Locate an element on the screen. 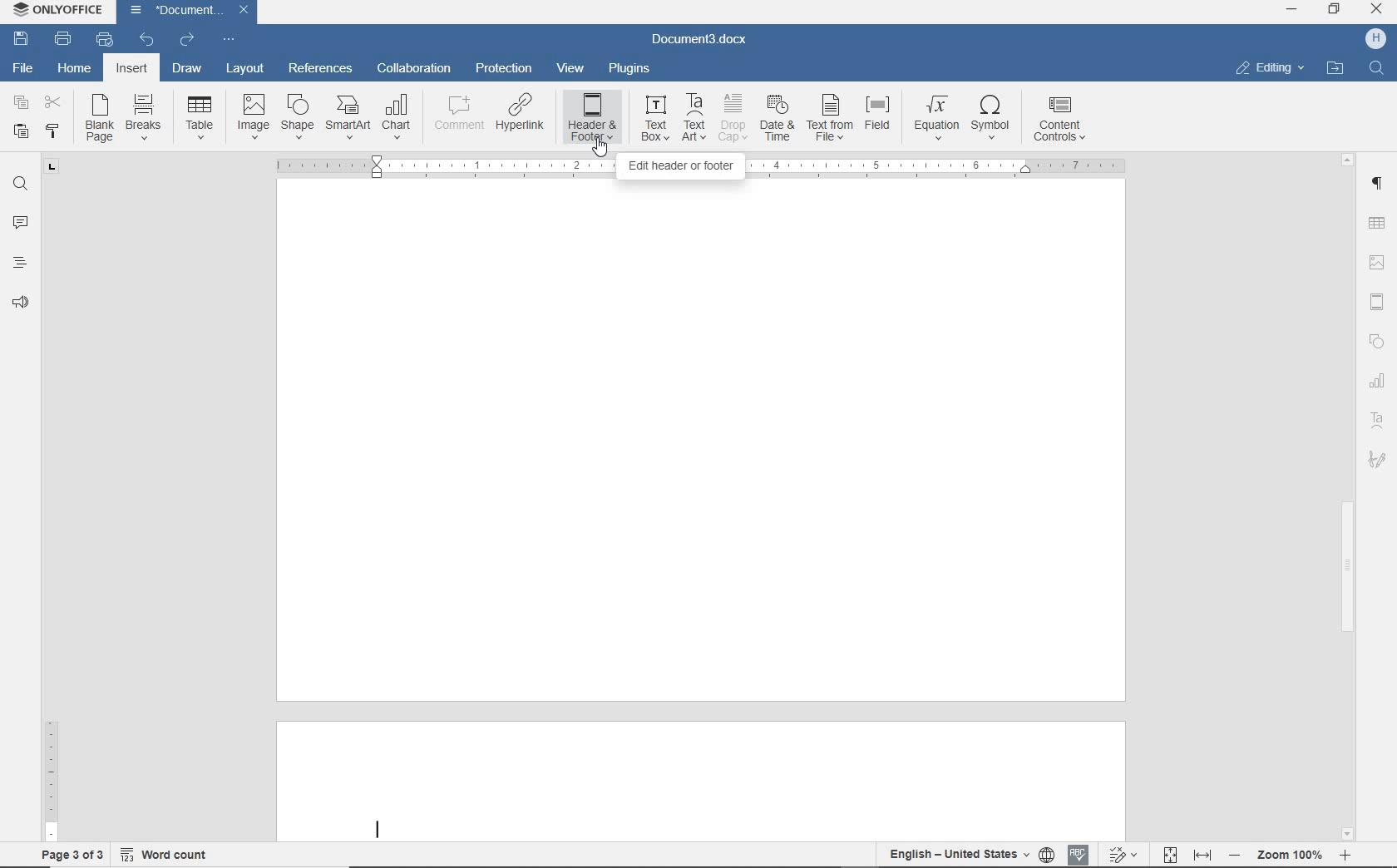 The height and width of the screenshot is (868, 1397). Zoom In is located at coordinates (1343, 858).